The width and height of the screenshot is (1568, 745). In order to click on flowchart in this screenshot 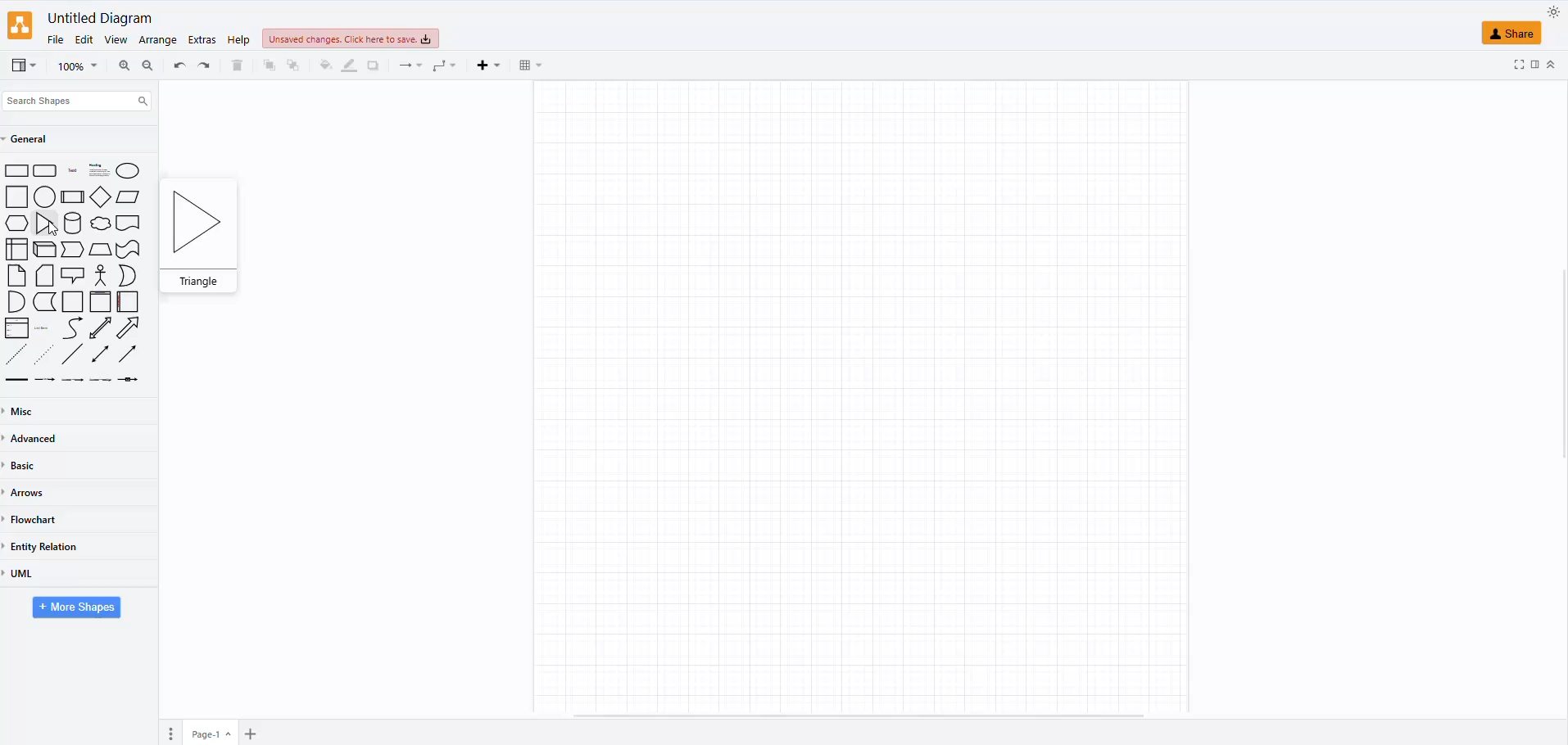, I will do `click(39, 516)`.